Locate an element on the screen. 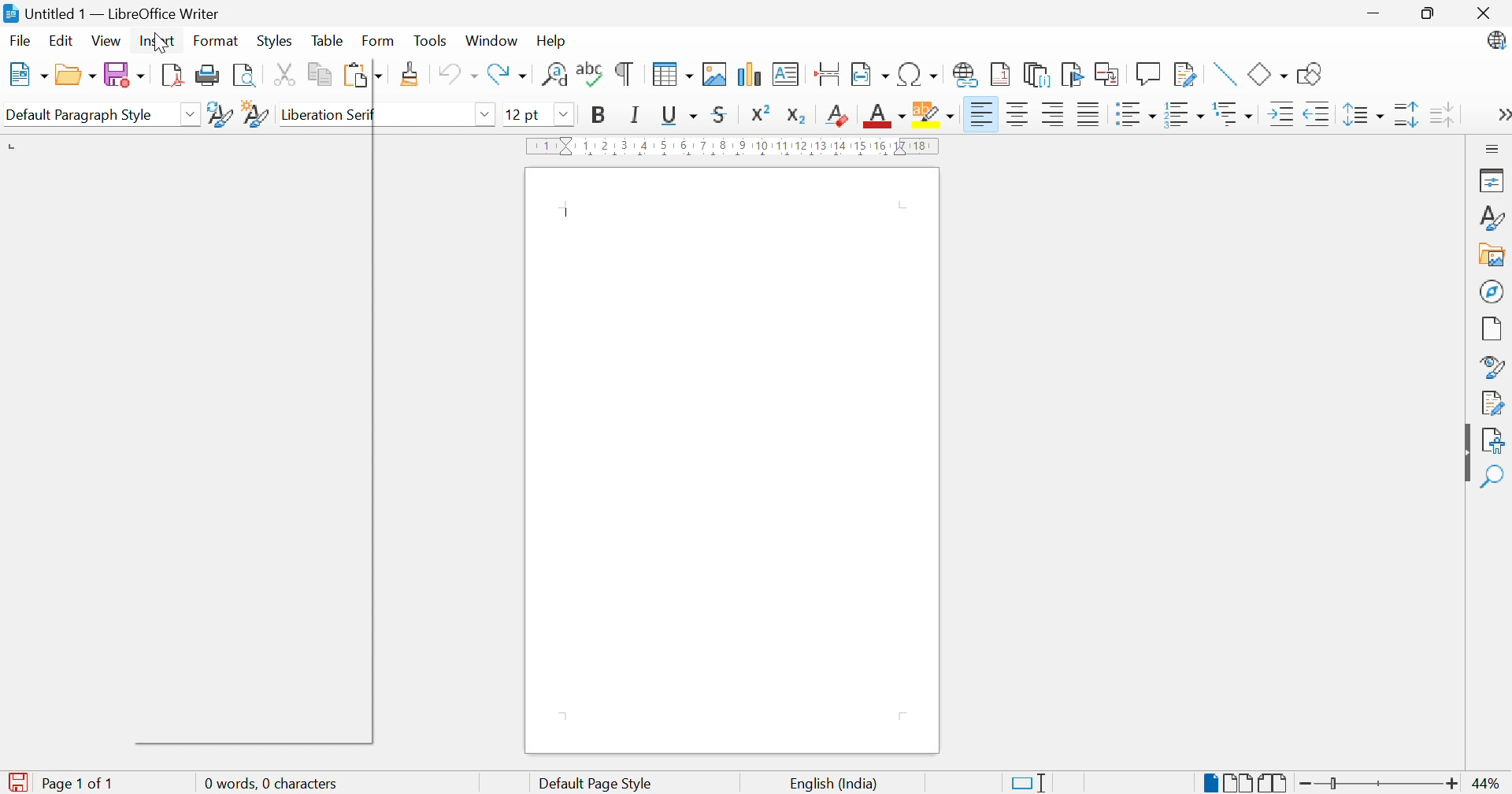 This screenshot has height=794, width=1512. Print is located at coordinates (210, 76).